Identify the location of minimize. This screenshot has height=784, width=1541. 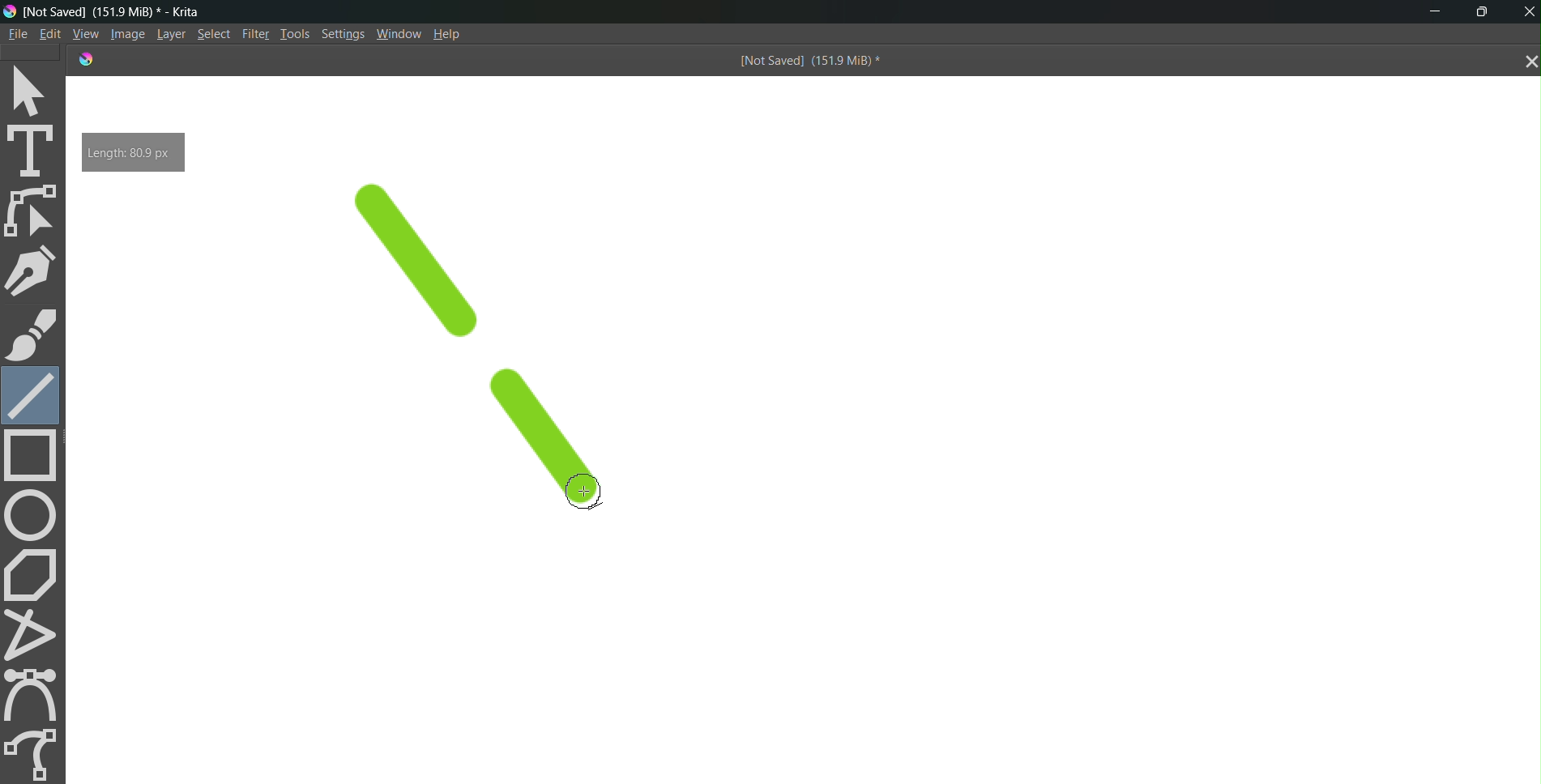
(1429, 13).